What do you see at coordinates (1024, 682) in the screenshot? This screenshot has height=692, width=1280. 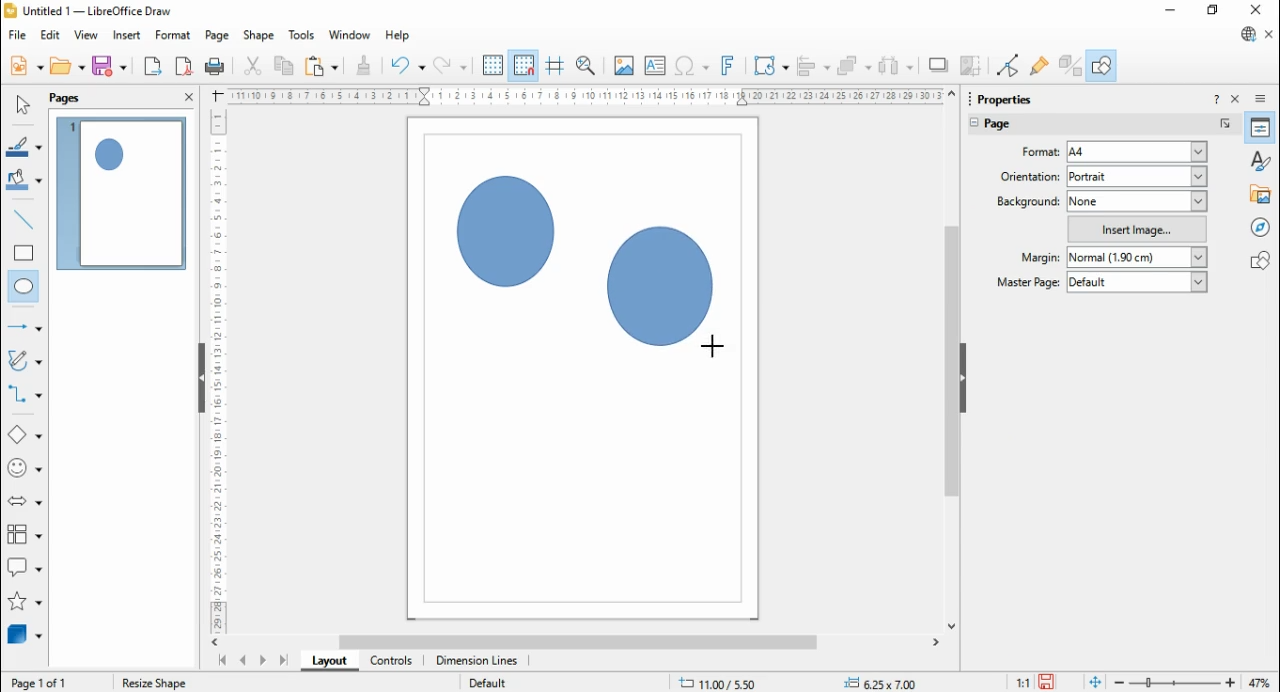 I see `11` at bounding box center [1024, 682].